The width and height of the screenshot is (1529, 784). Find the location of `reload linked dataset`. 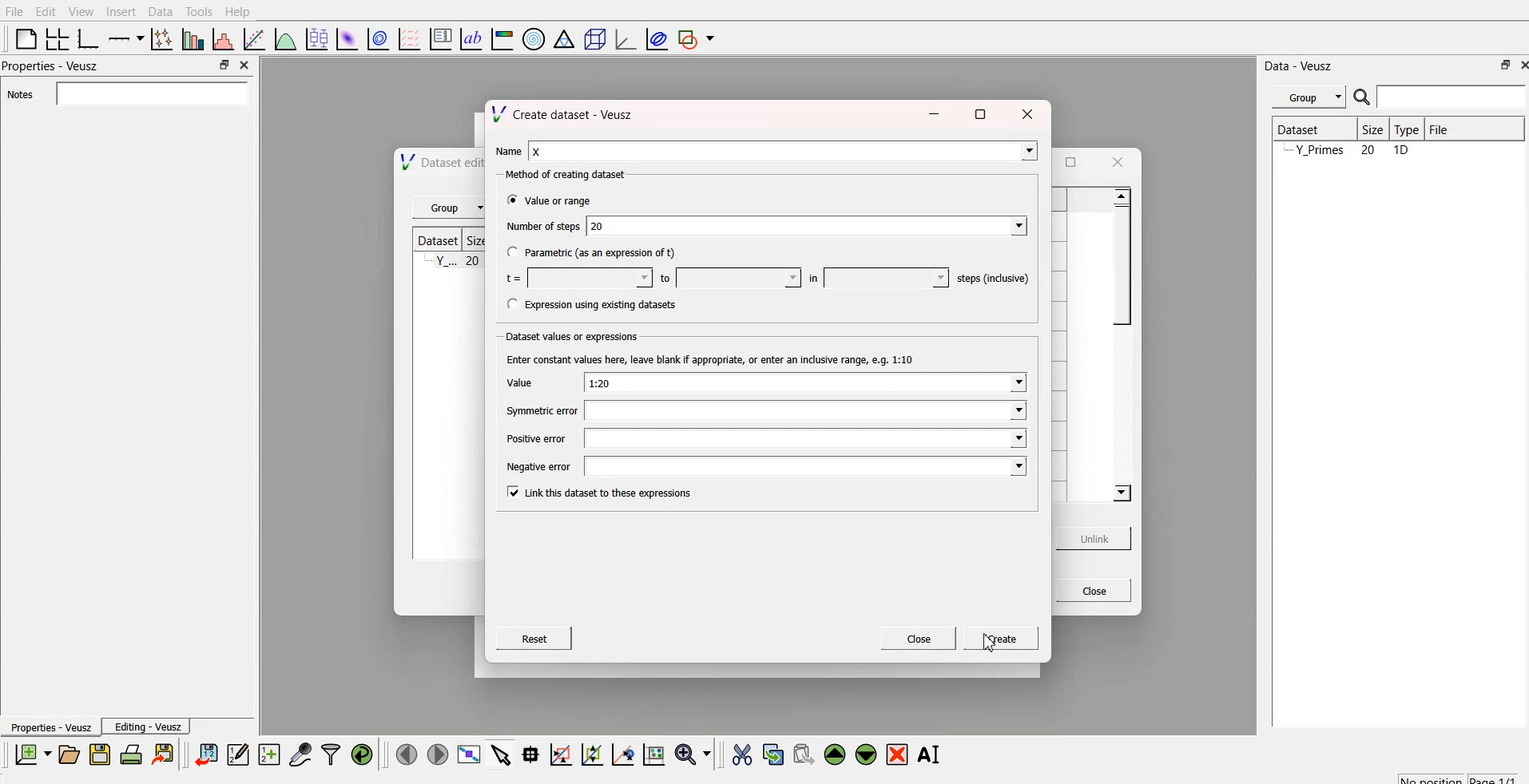

reload linked dataset is located at coordinates (362, 752).